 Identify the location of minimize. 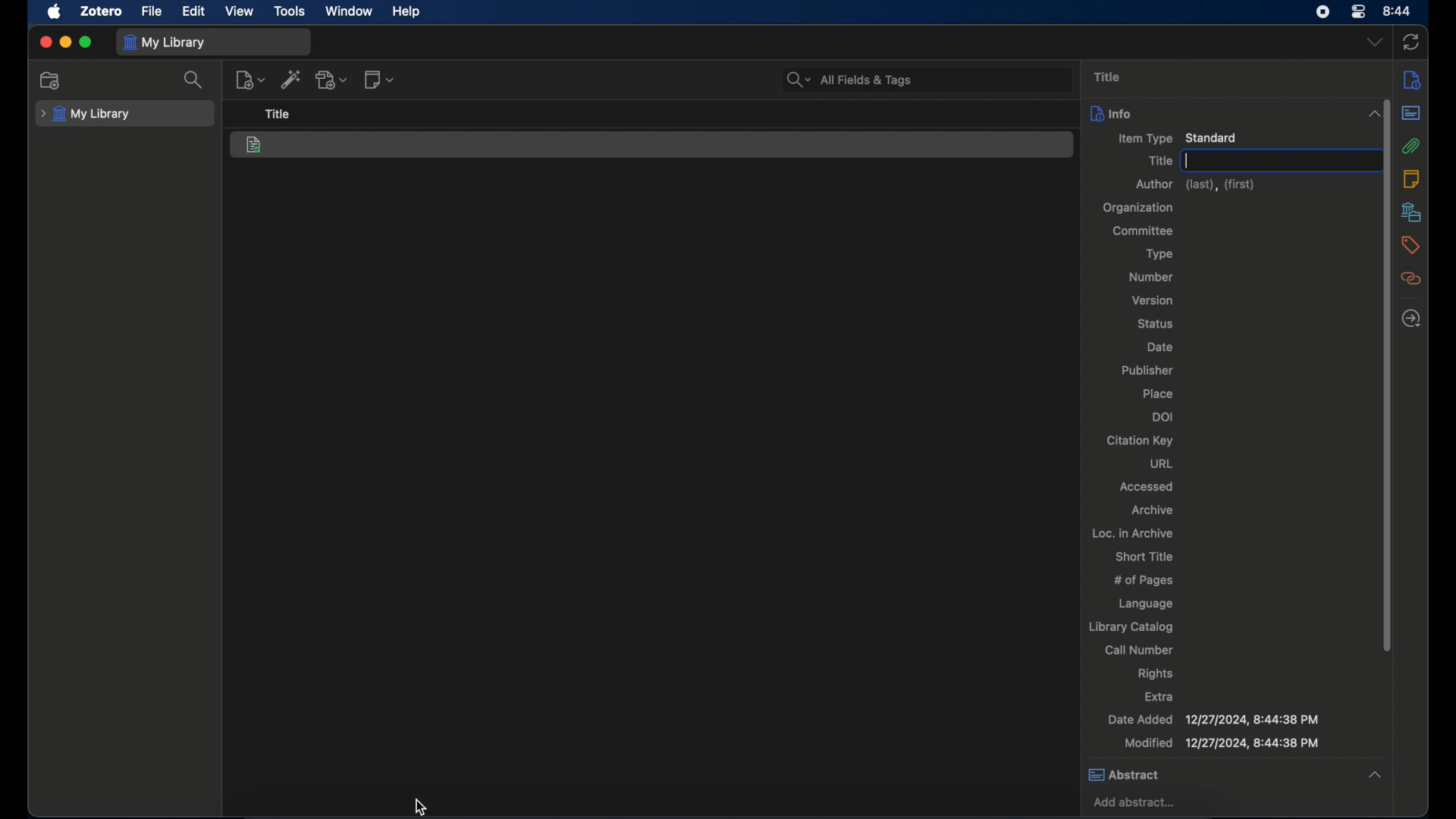
(67, 42).